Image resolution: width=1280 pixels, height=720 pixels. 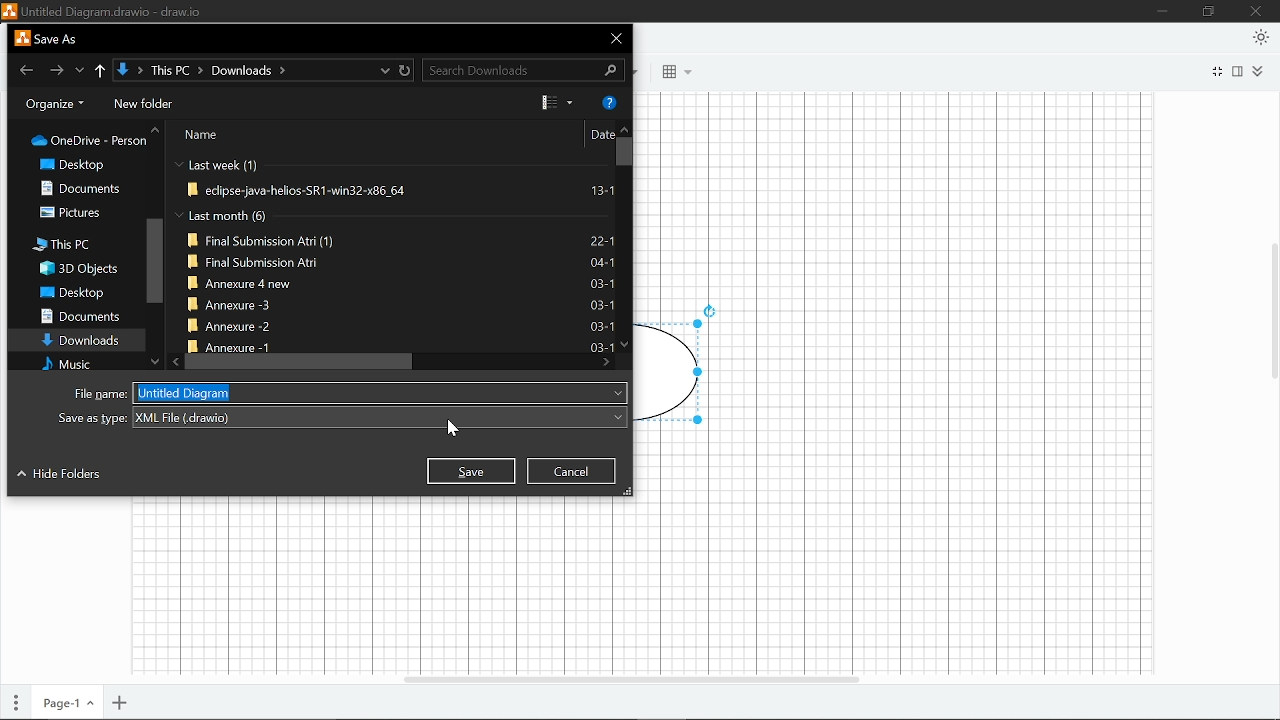 I want to click on Save file as, so click(x=341, y=417).